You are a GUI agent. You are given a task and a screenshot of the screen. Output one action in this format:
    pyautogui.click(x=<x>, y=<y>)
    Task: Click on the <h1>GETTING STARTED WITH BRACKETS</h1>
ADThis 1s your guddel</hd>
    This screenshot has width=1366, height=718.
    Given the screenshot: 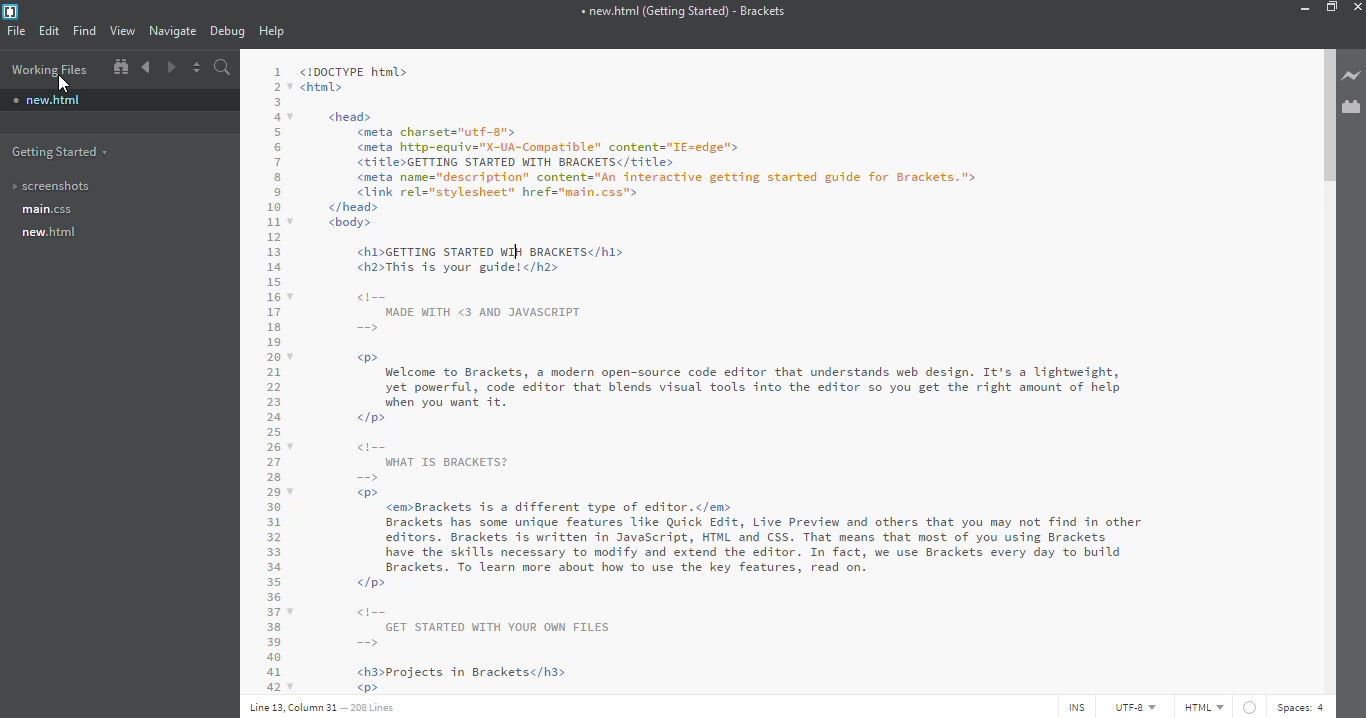 What is the action you would take?
    pyautogui.click(x=505, y=258)
    